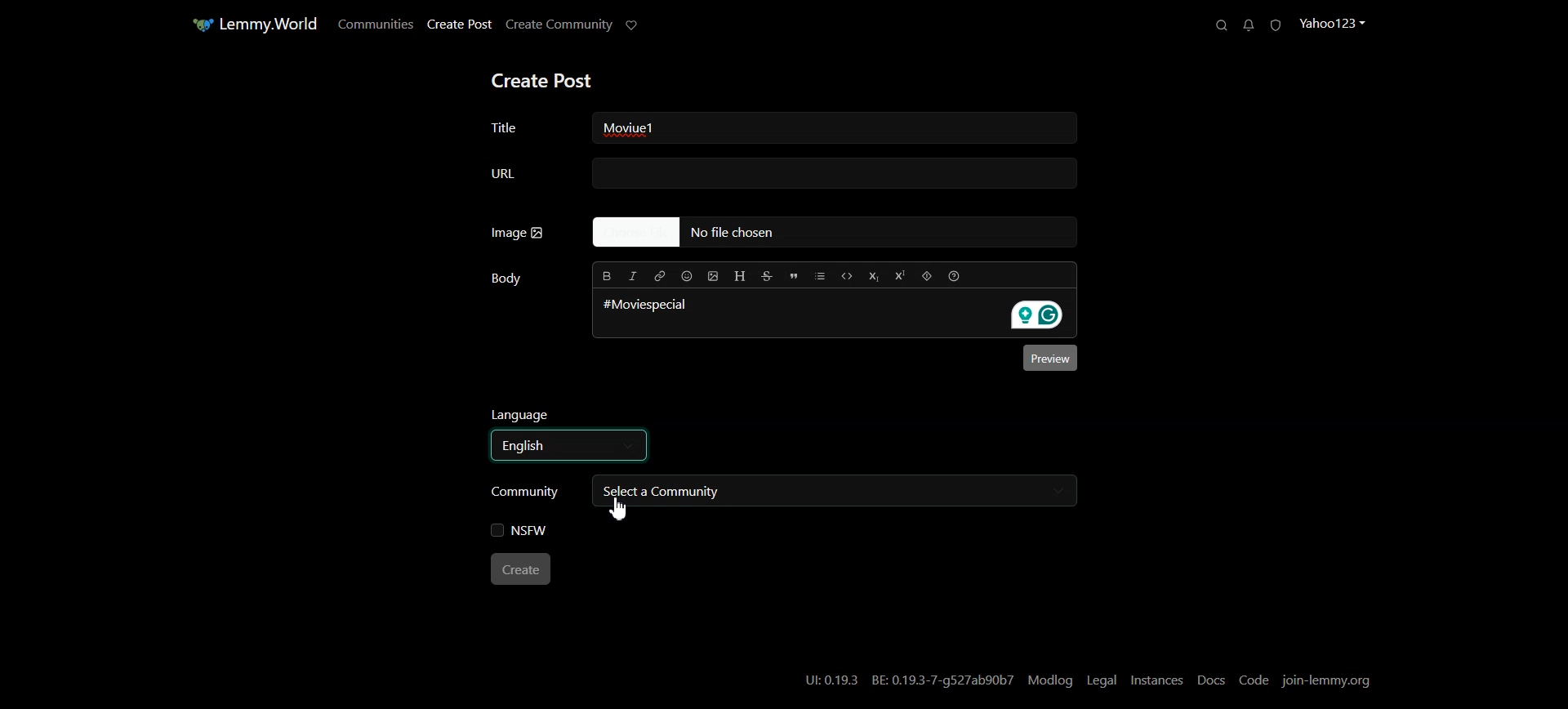 The image size is (1568, 709). What do you see at coordinates (1211, 680) in the screenshot?
I see `Docs` at bounding box center [1211, 680].